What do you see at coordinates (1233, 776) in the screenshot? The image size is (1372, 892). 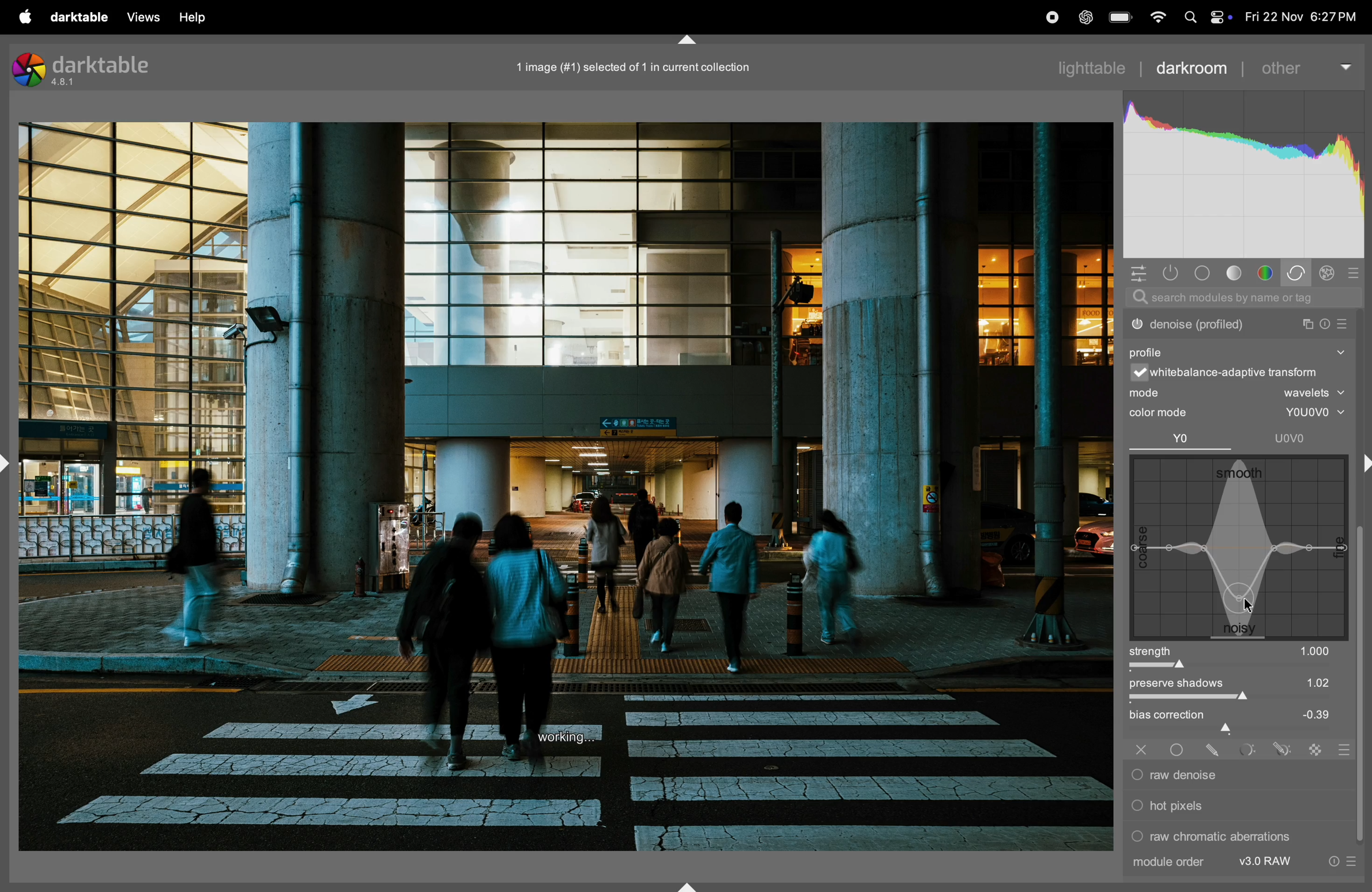 I see `raw denoise` at bounding box center [1233, 776].